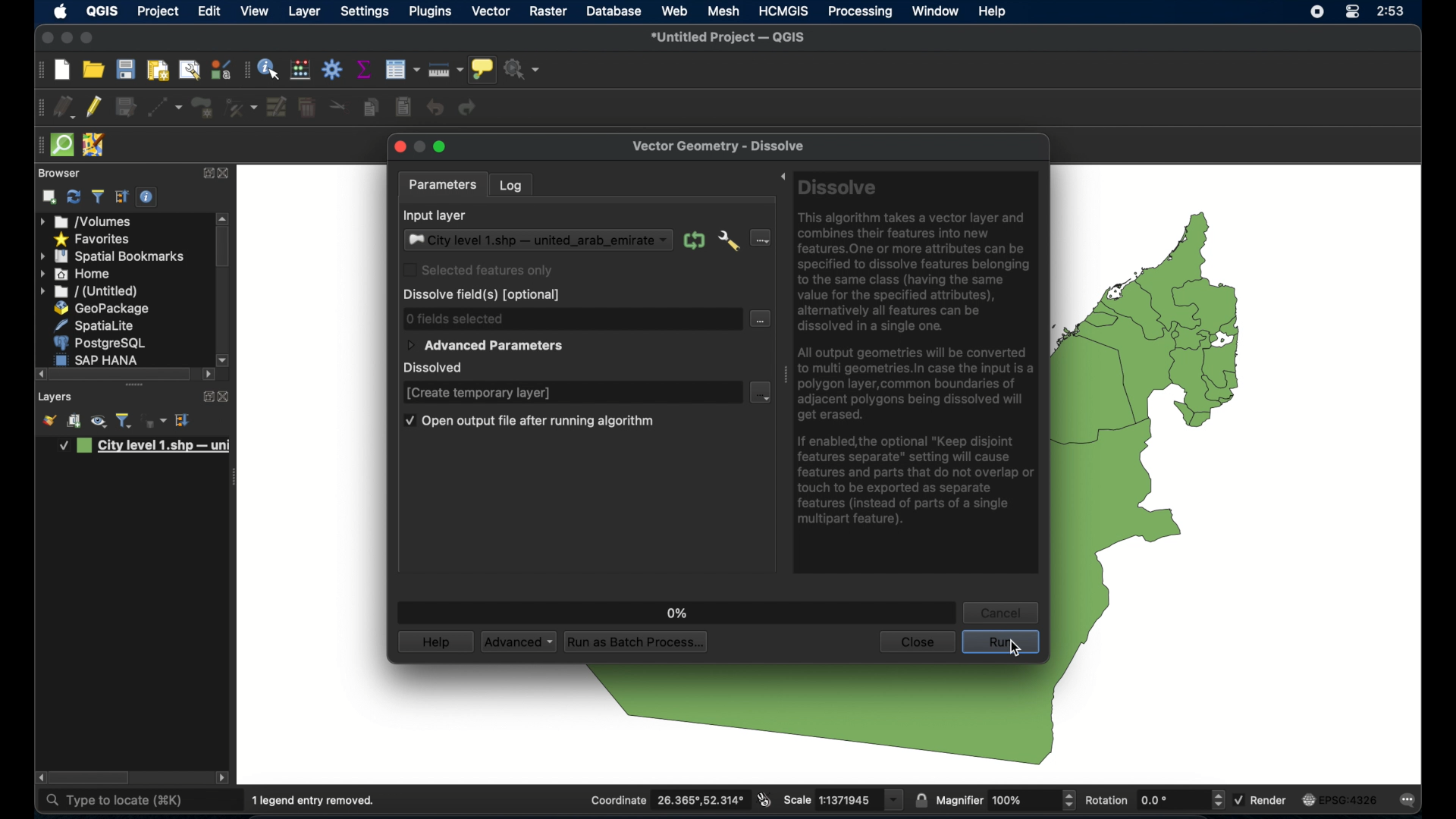  Describe the element at coordinates (95, 145) in the screenshot. I see `jsom remote` at that location.